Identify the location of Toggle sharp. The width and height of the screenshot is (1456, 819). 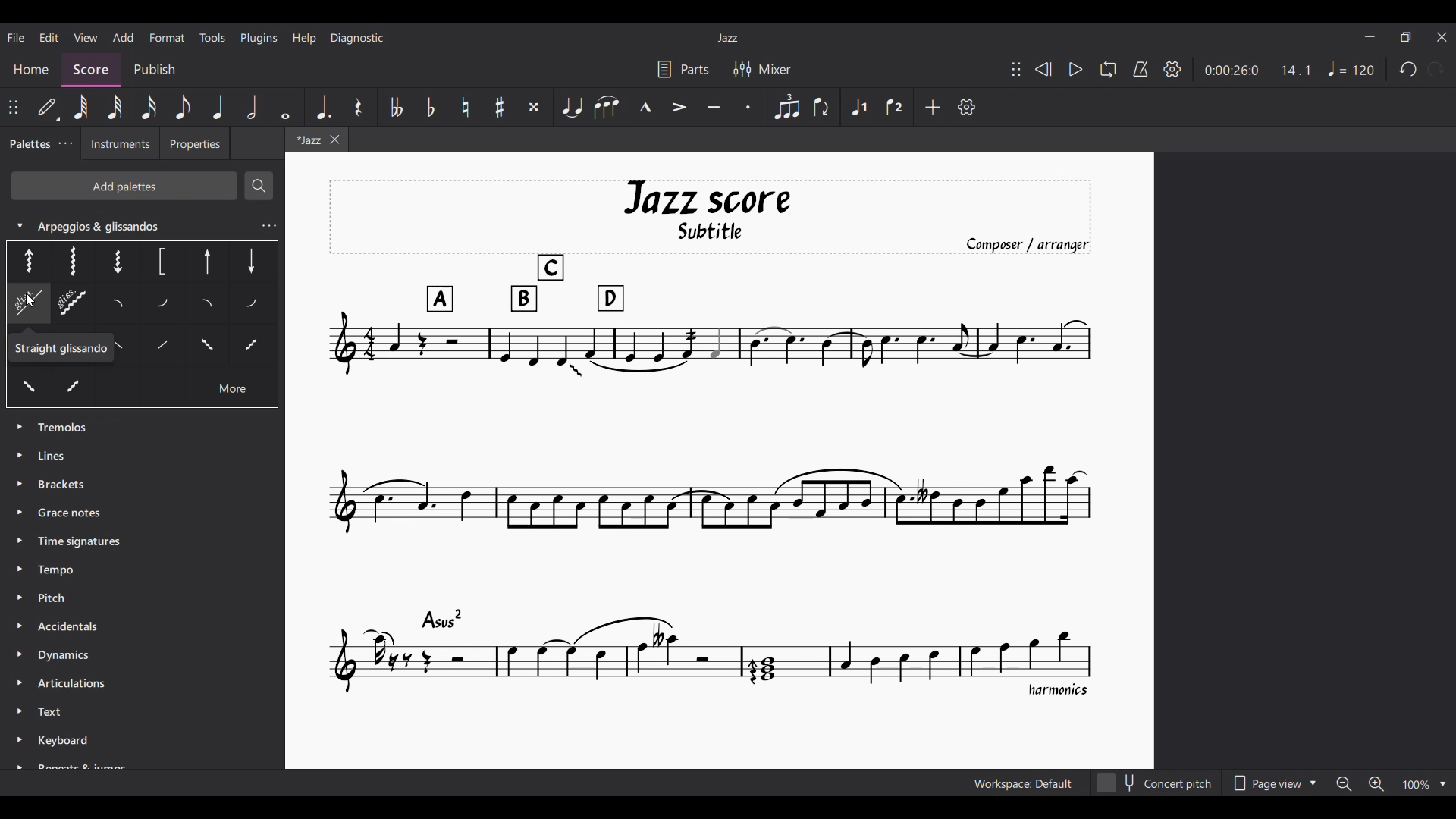
(500, 107).